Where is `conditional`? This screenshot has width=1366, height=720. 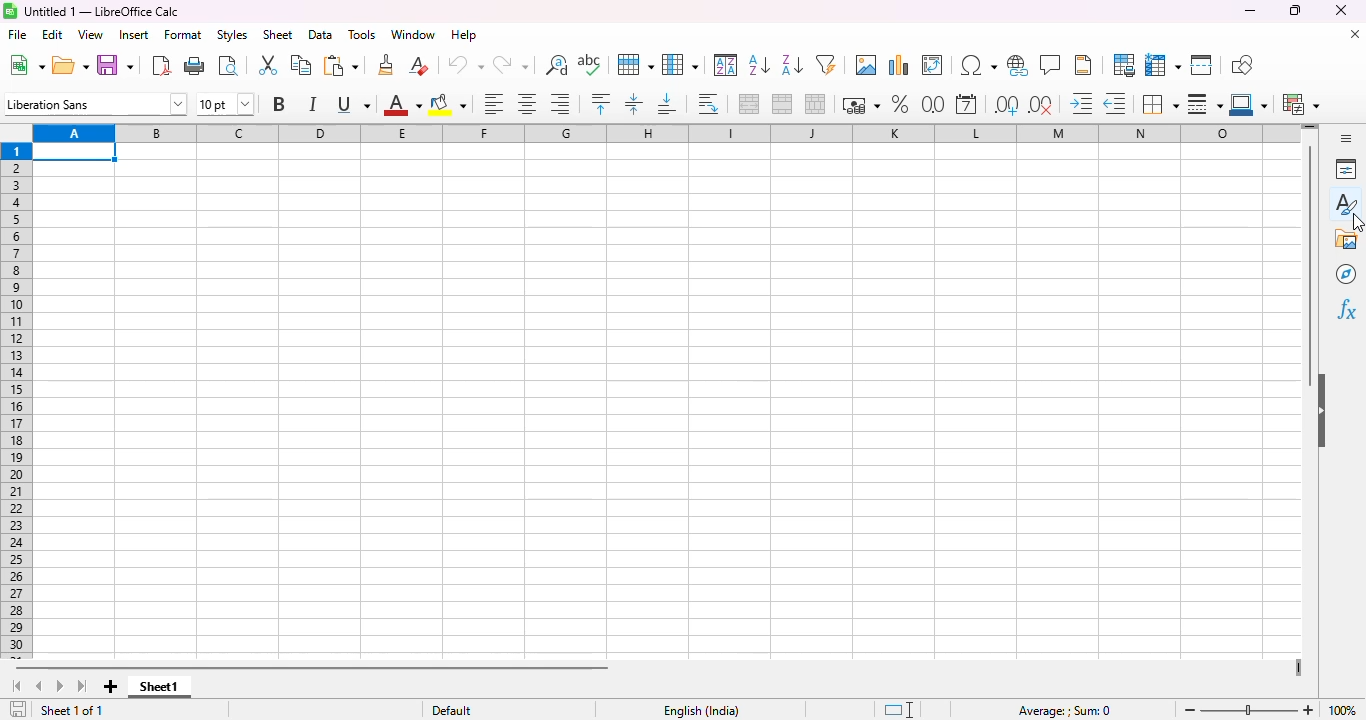 conditional is located at coordinates (1302, 104).